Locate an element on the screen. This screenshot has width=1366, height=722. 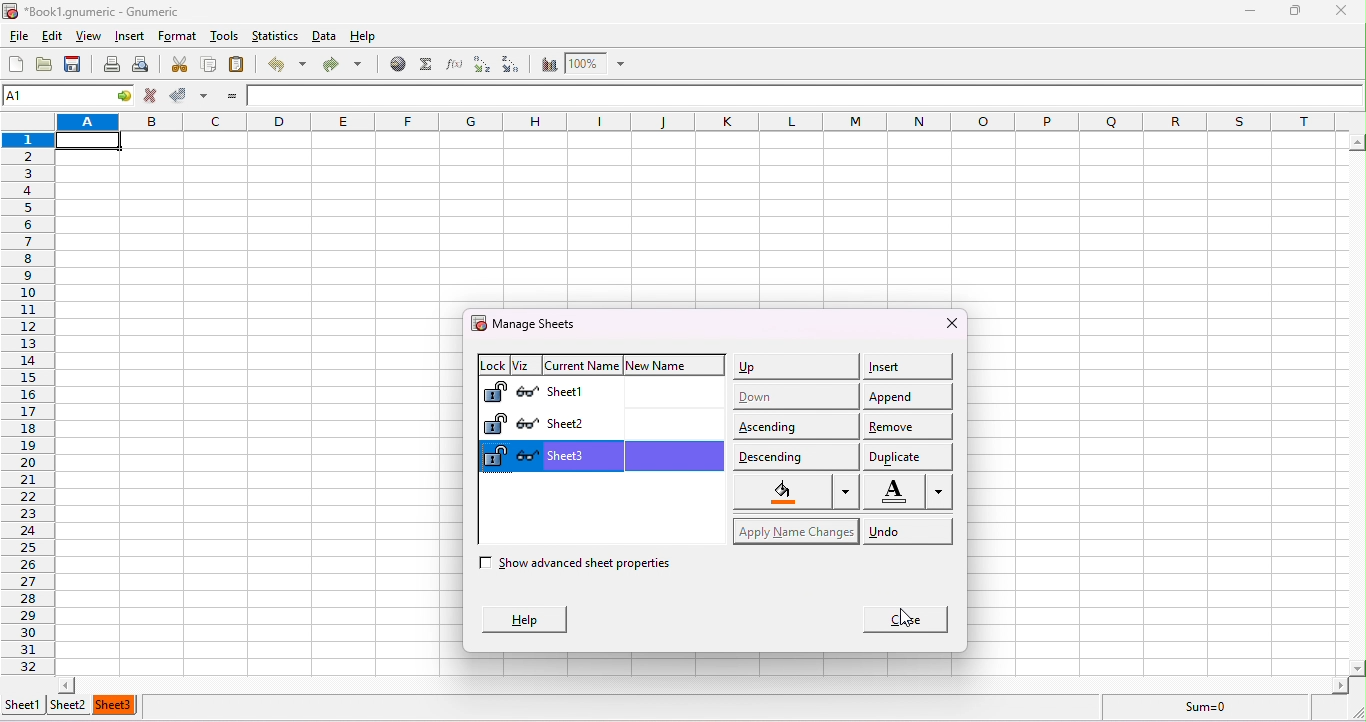
open a file is located at coordinates (47, 66).